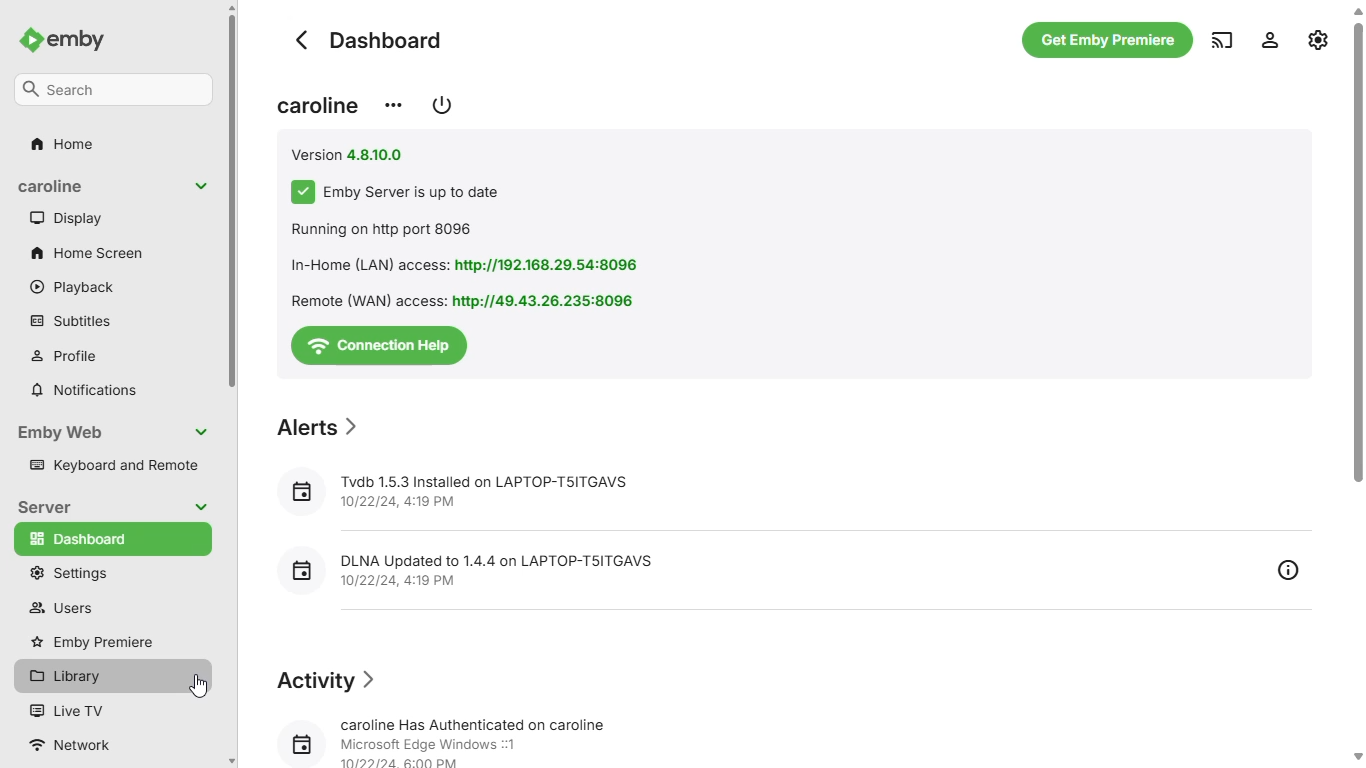  Describe the element at coordinates (87, 252) in the screenshot. I see `home screen` at that location.